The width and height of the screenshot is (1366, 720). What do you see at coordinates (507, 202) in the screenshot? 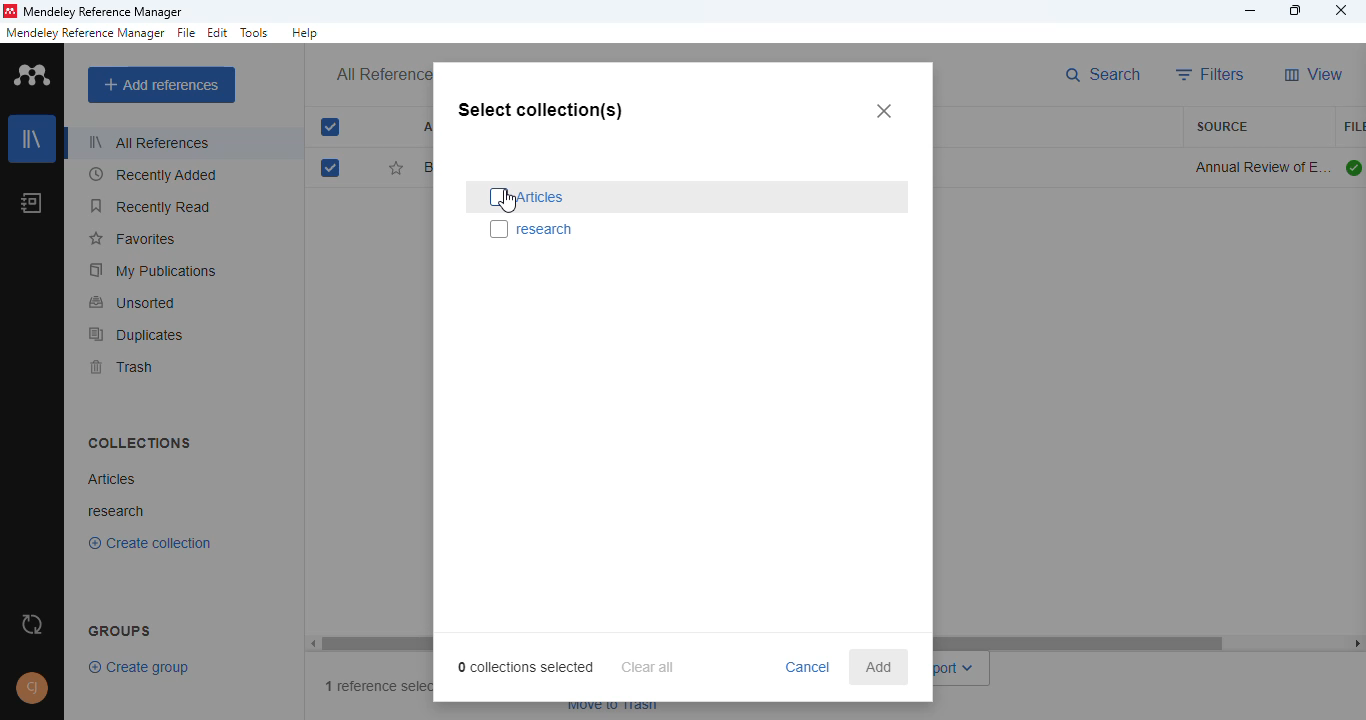
I see `cursor` at bounding box center [507, 202].